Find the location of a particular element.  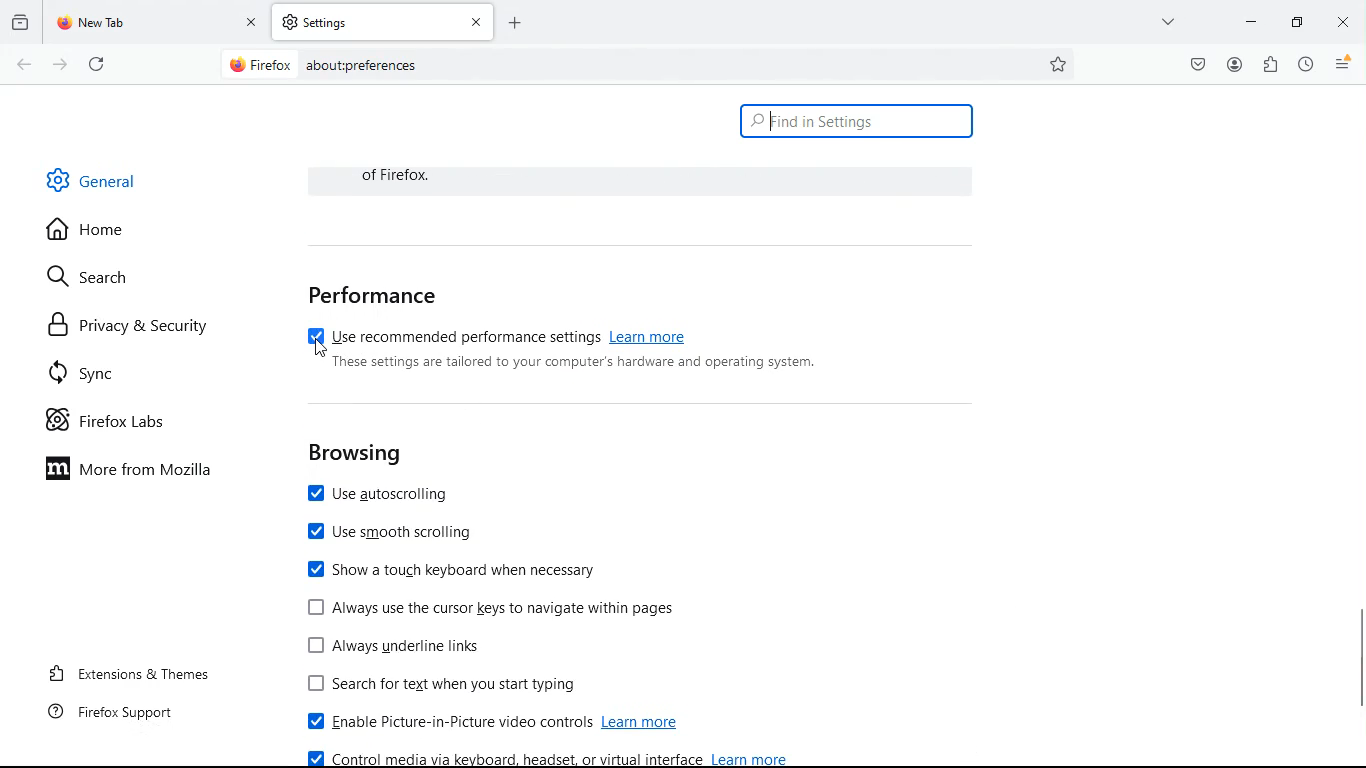

use smooth scrolling is located at coordinates (395, 535).